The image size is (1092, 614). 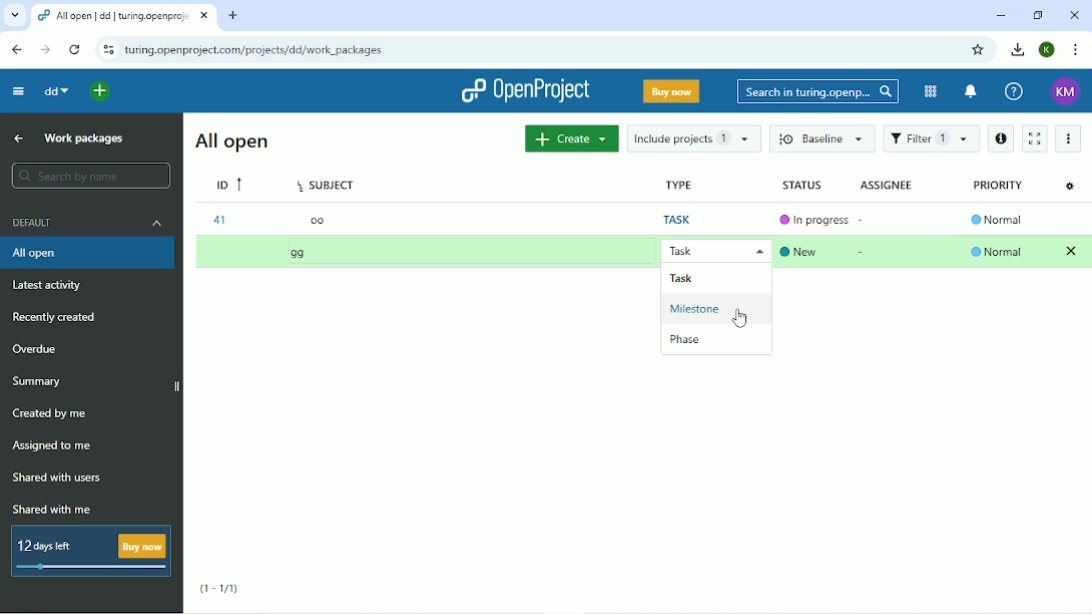 What do you see at coordinates (524, 92) in the screenshot?
I see `OpenProject` at bounding box center [524, 92].